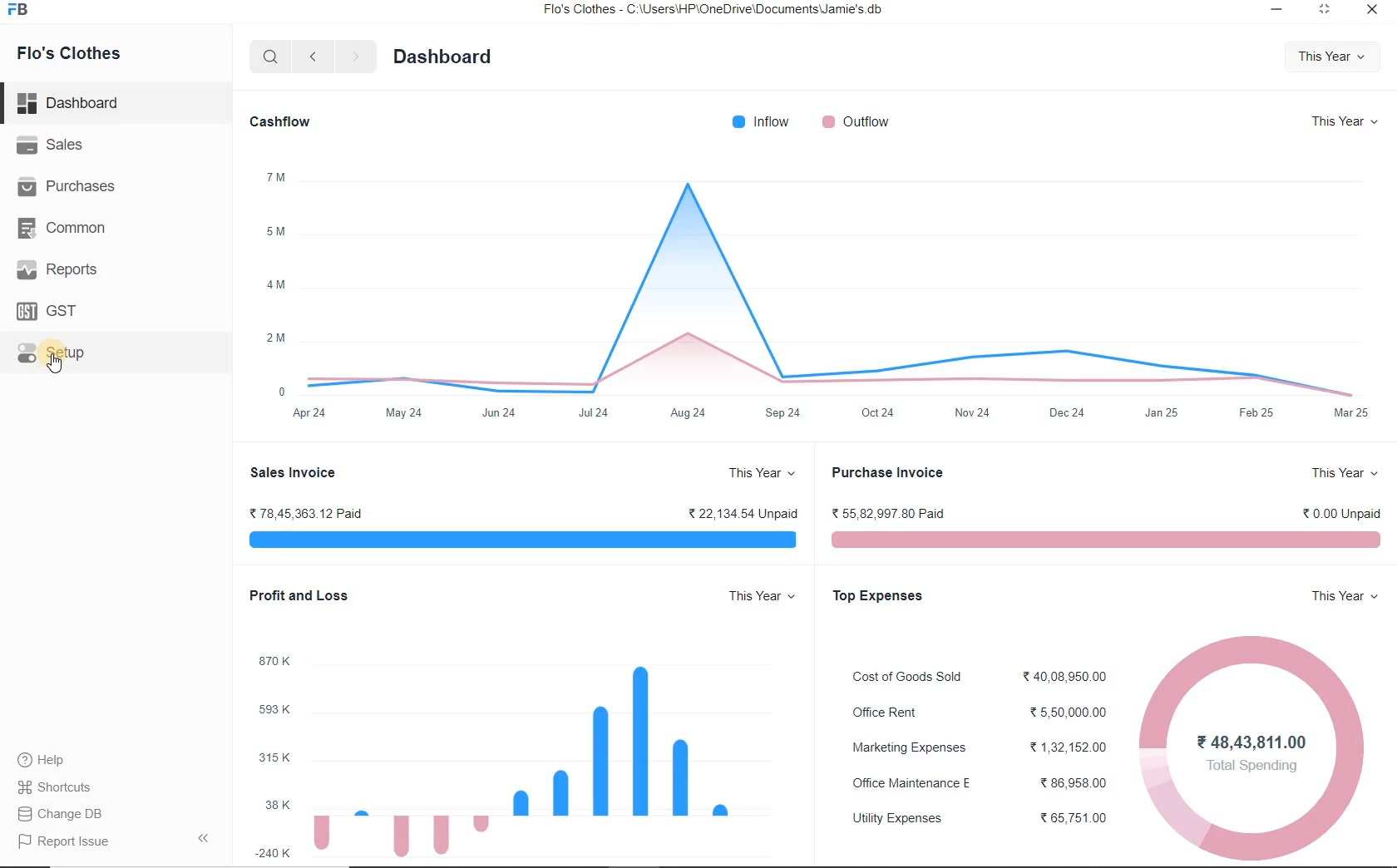  What do you see at coordinates (910, 745) in the screenshot?
I see `Marketing Expenses` at bounding box center [910, 745].